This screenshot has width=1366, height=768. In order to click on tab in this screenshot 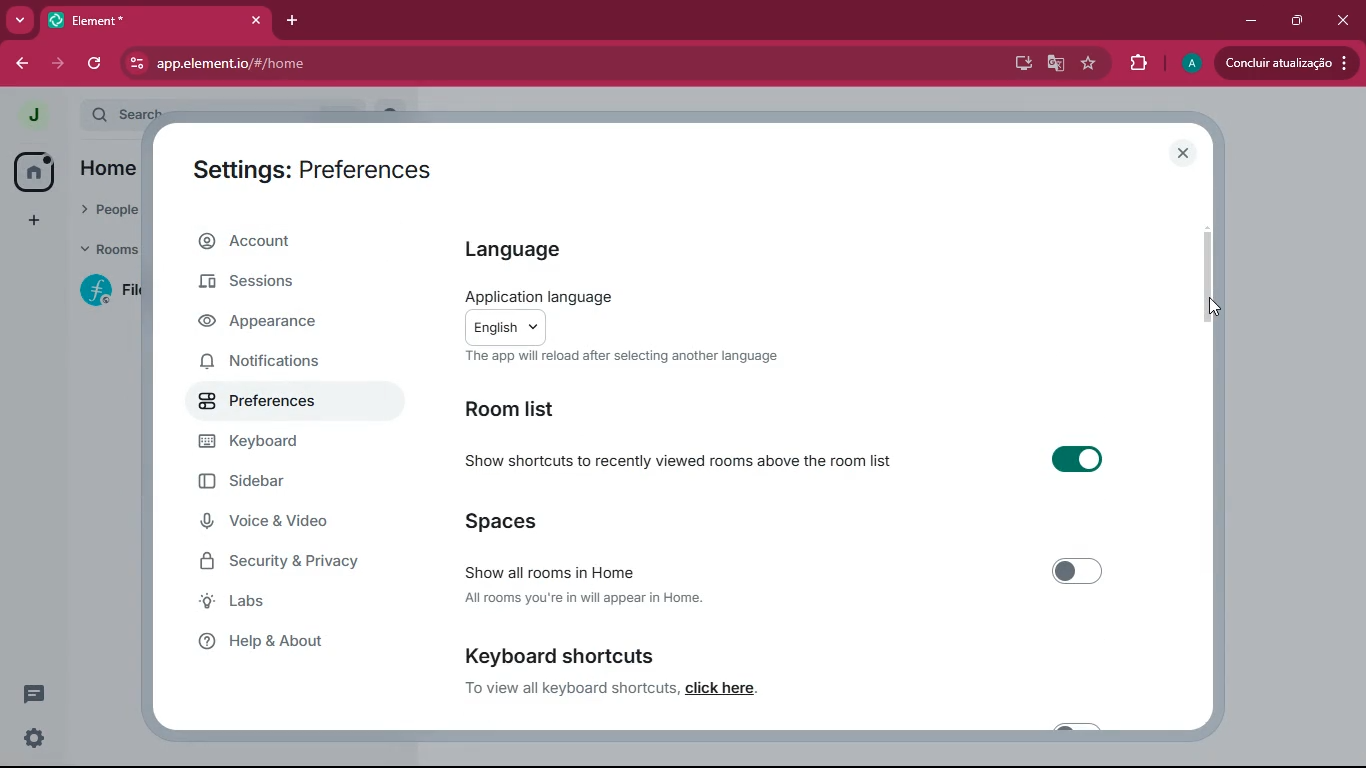, I will do `click(134, 21)`.